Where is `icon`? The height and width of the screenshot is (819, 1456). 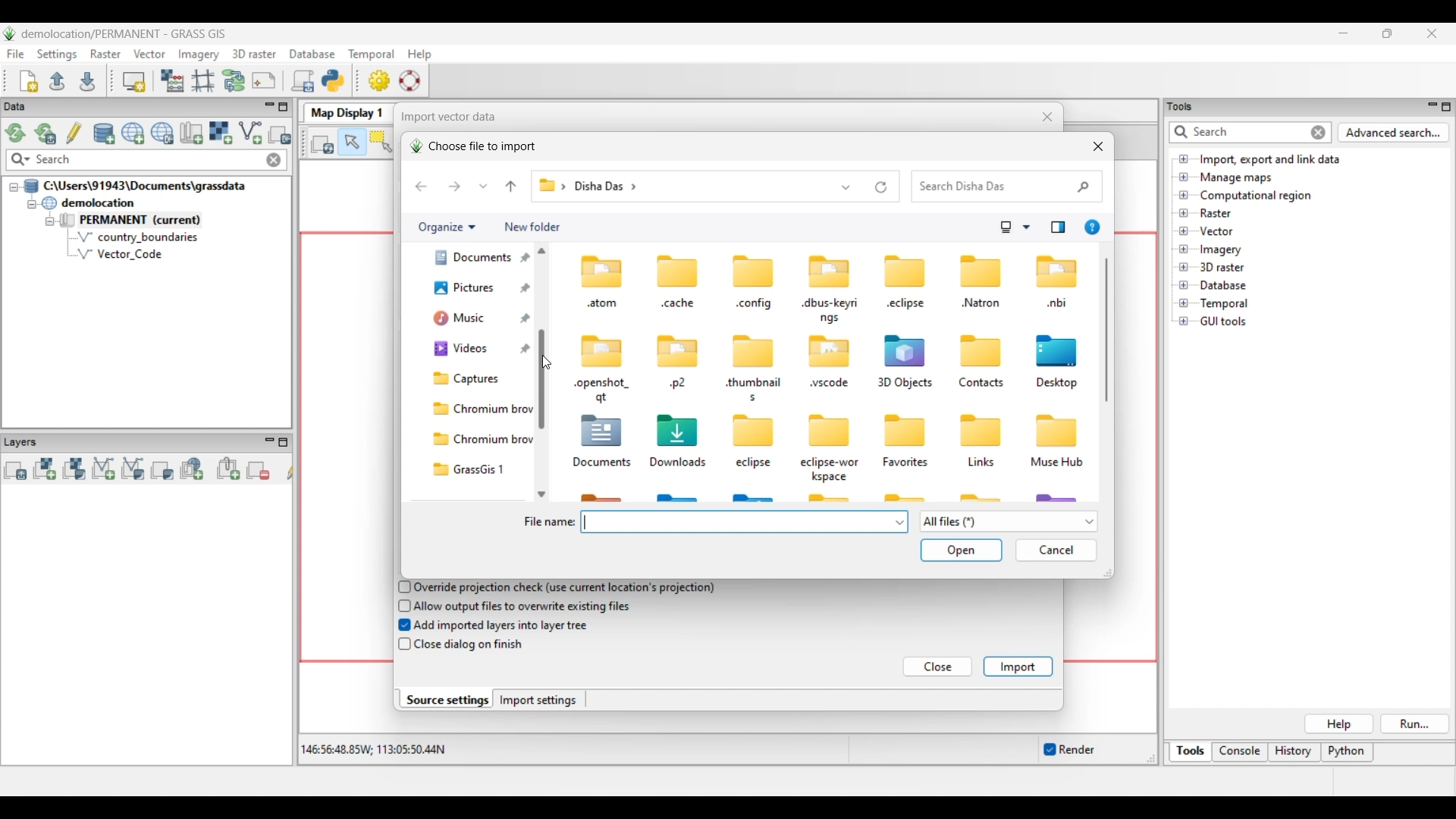 icon is located at coordinates (755, 272).